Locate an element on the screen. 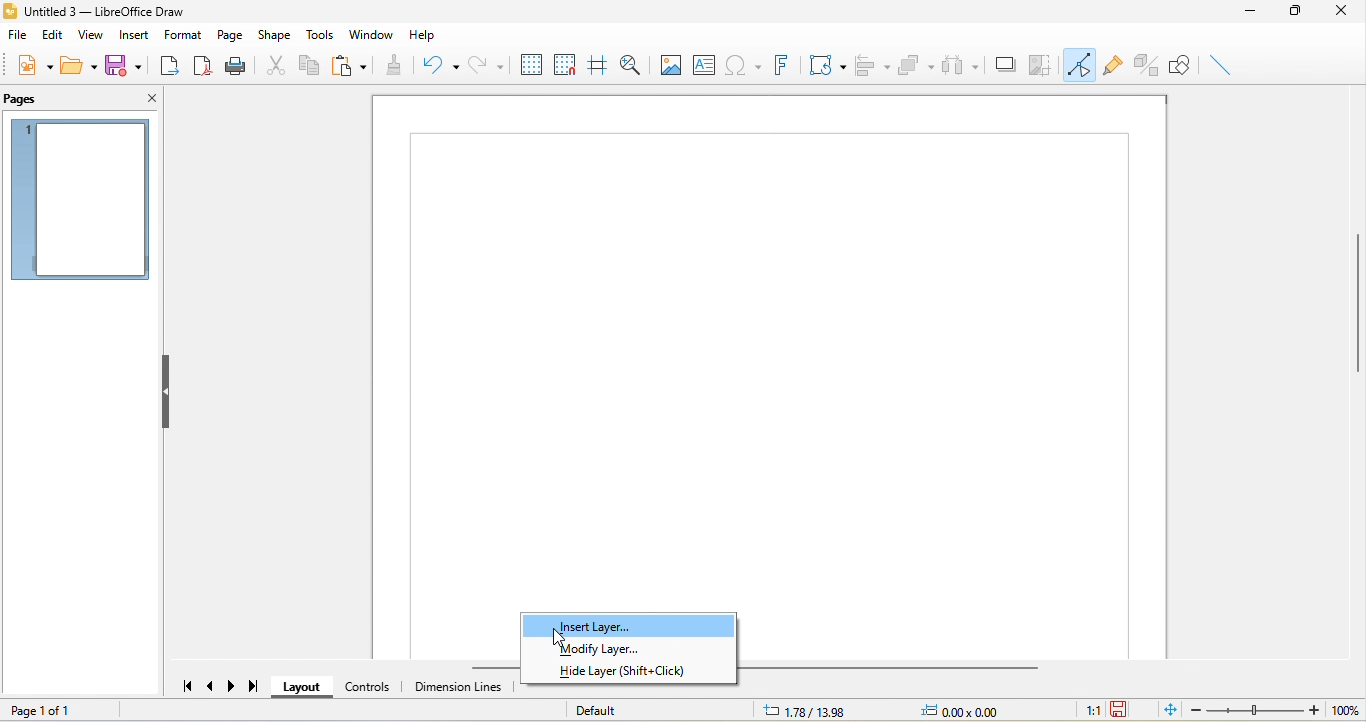  default is located at coordinates (622, 710).